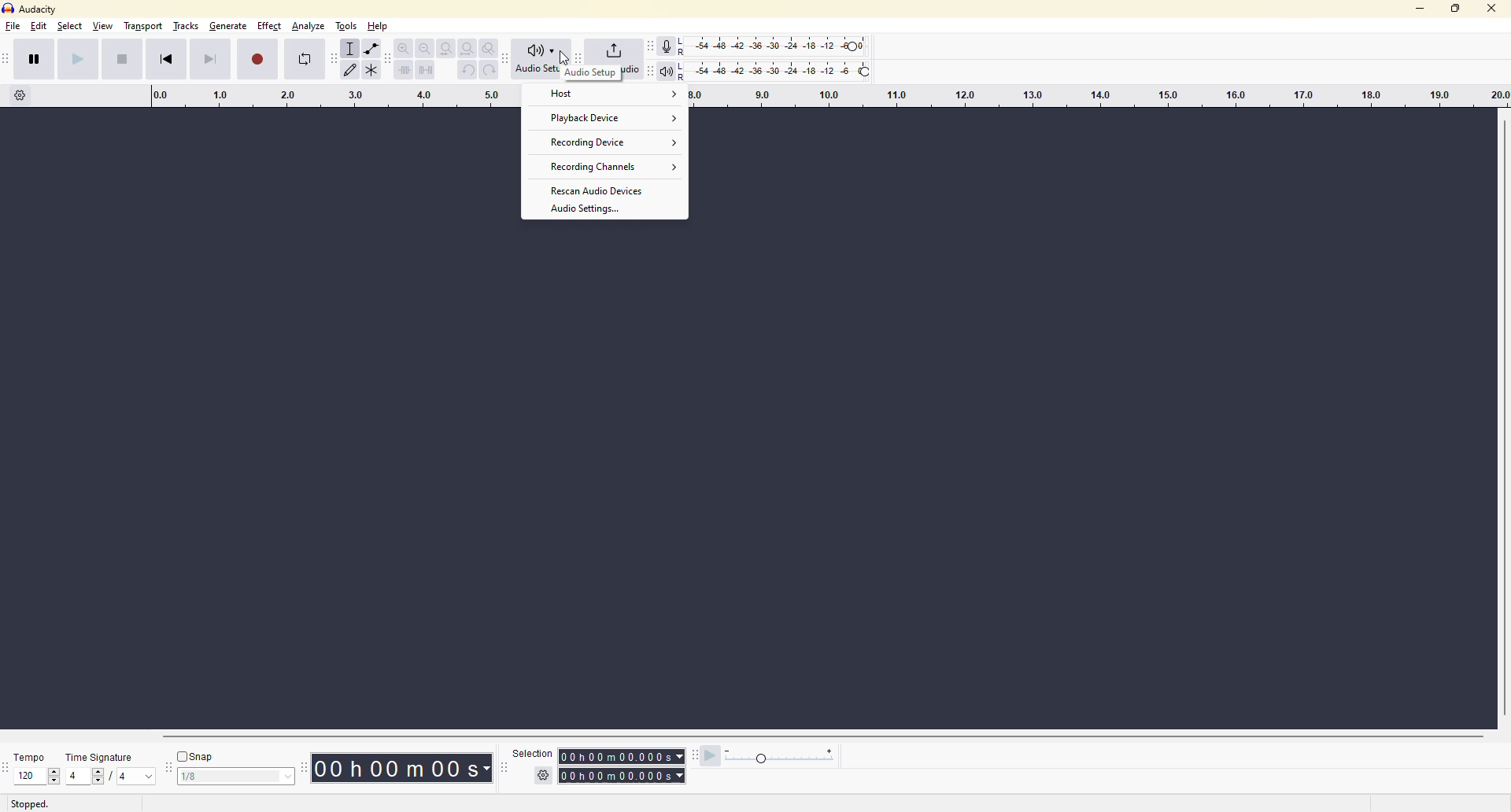  I want to click on snap, so click(197, 758).